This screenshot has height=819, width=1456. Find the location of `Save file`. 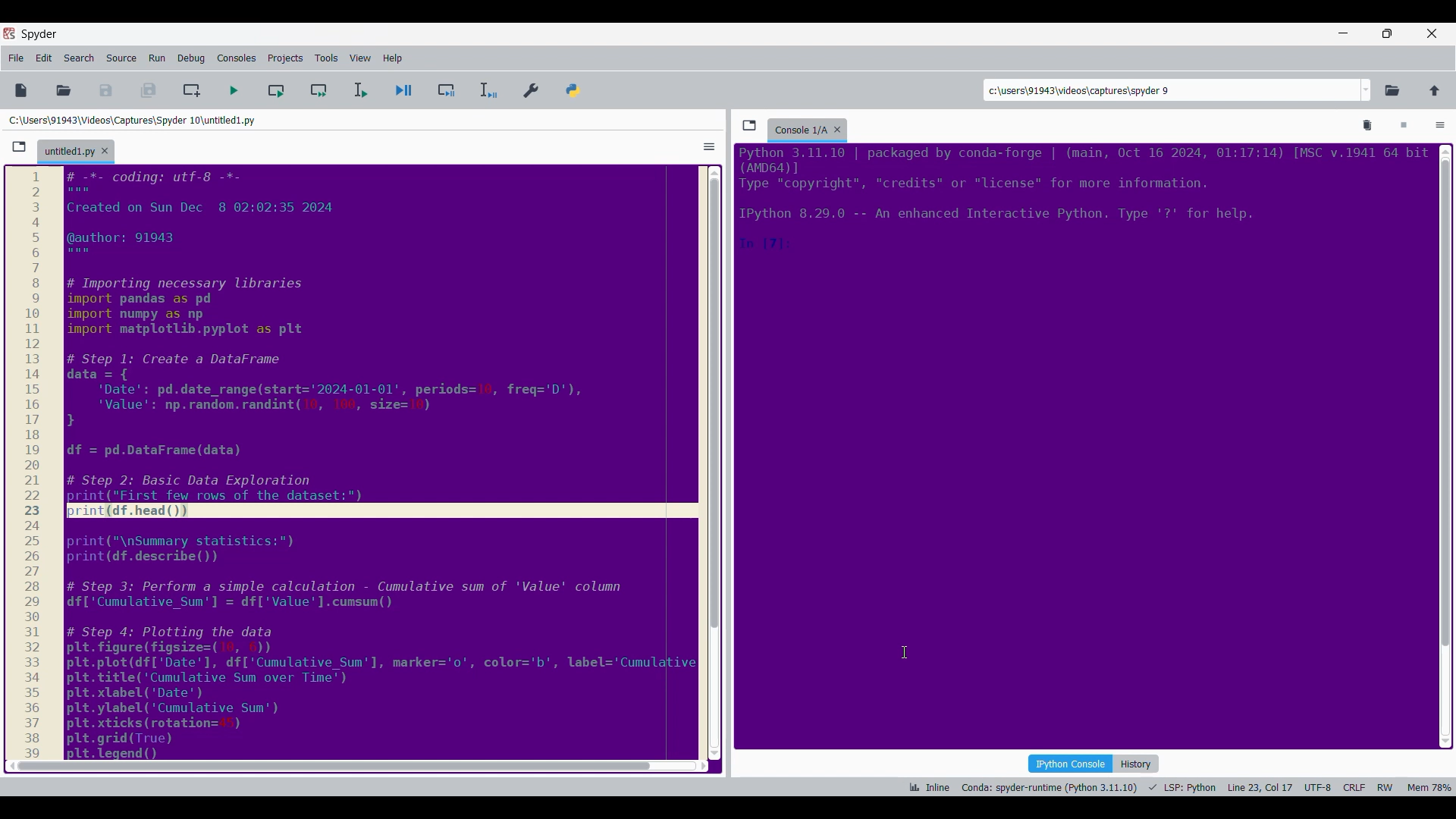

Save file is located at coordinates (107, 90).